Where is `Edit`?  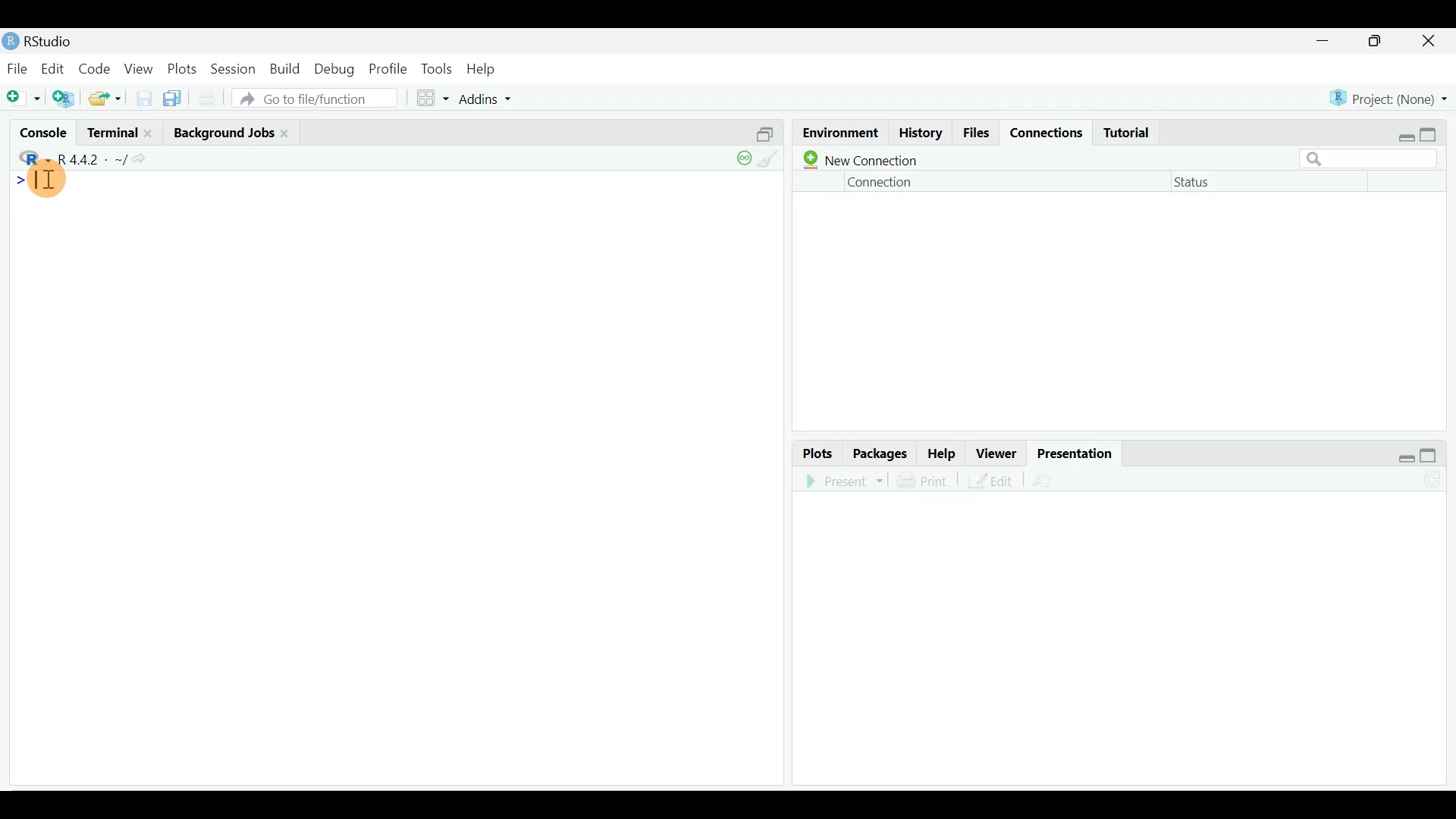
Edit is located at coordinates (991, 482).